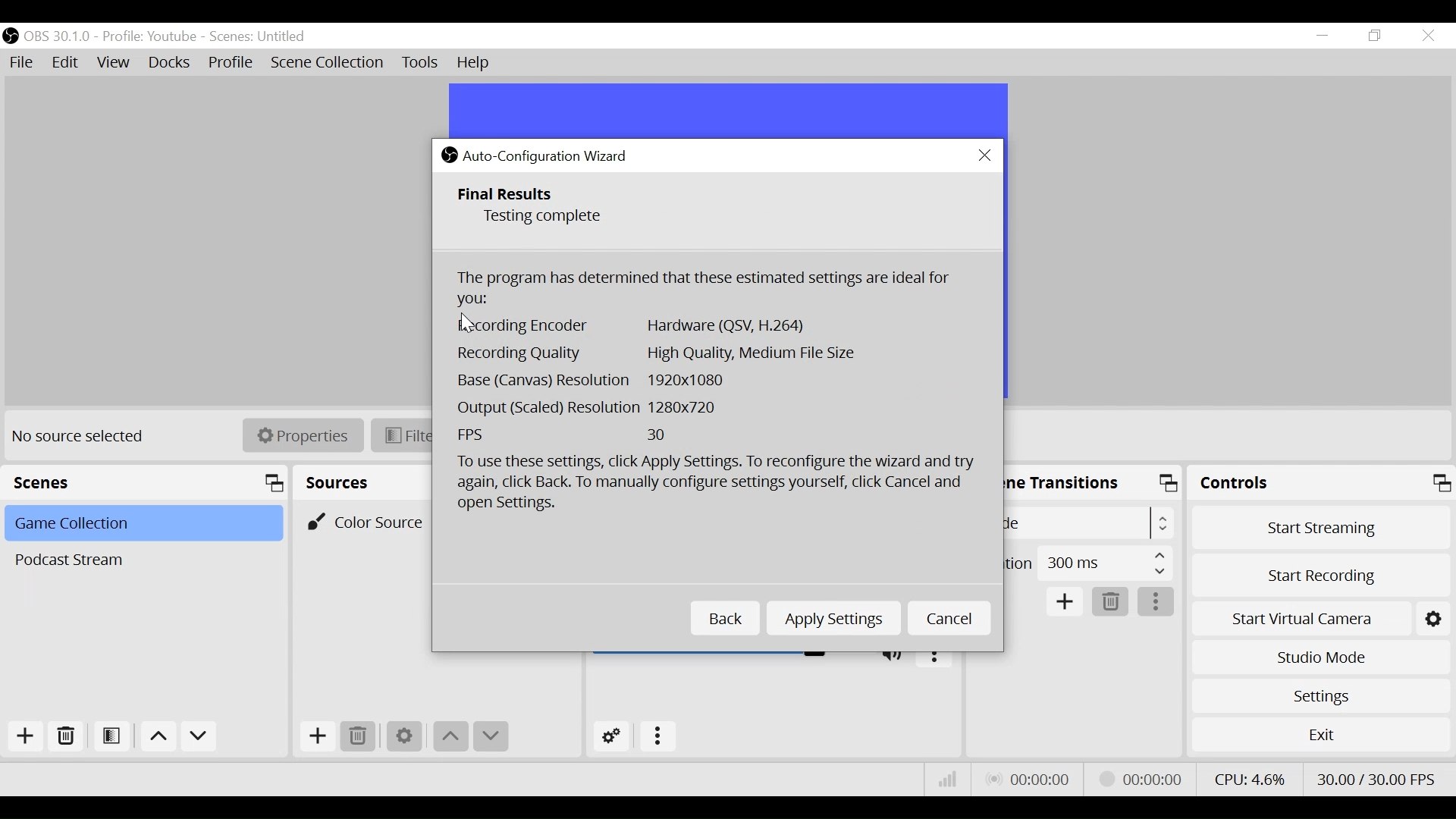 This screenshot has width=1456, height=819. Describe the element at coordinates (617, 381) in the screenshot. I see `Base Canvas Resolution` at that location.